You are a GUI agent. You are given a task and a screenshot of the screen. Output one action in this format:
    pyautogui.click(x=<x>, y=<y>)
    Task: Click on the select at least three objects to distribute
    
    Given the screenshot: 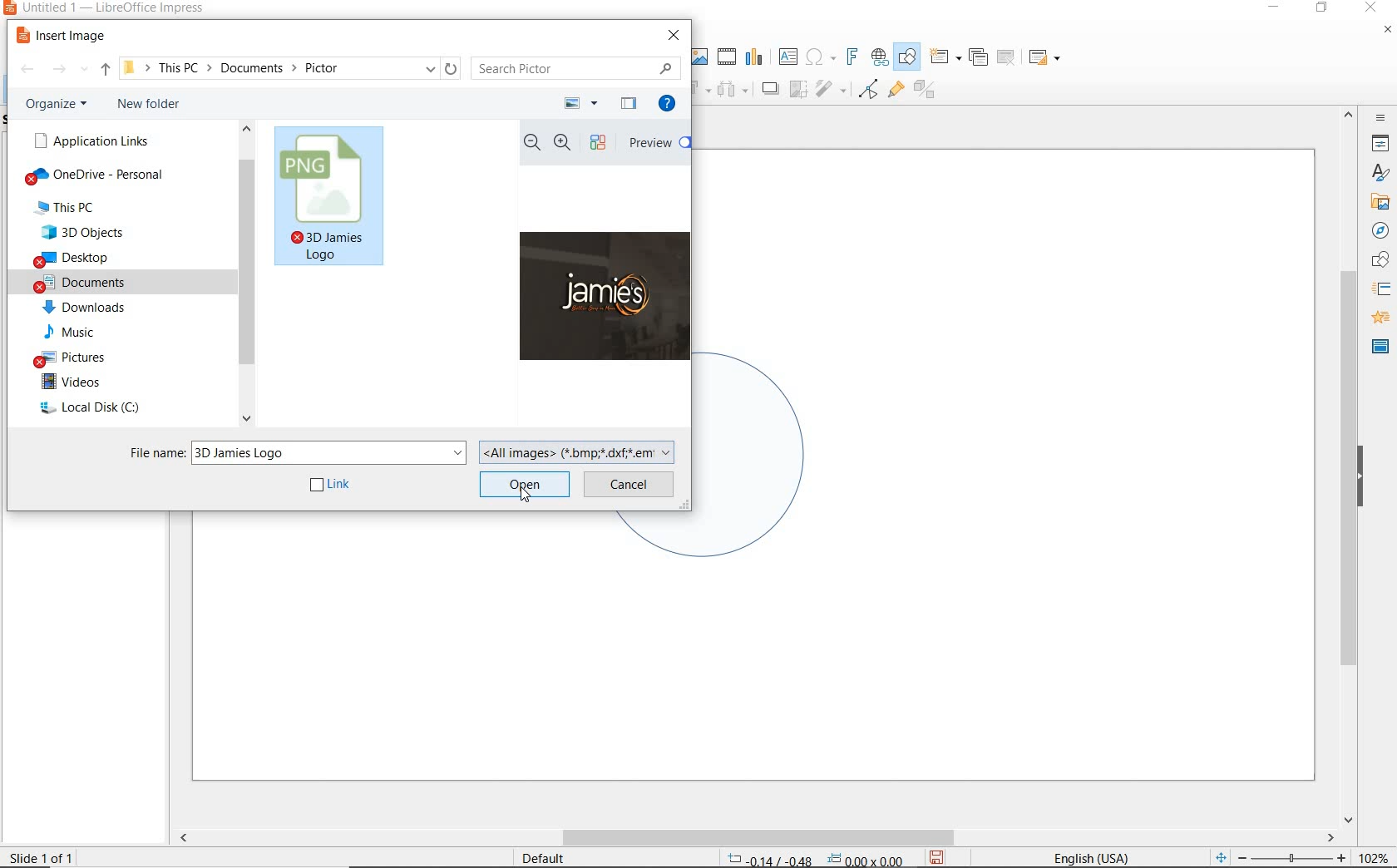 What is the action you would take?
    pyautogui.click(x=733, y=90)
    